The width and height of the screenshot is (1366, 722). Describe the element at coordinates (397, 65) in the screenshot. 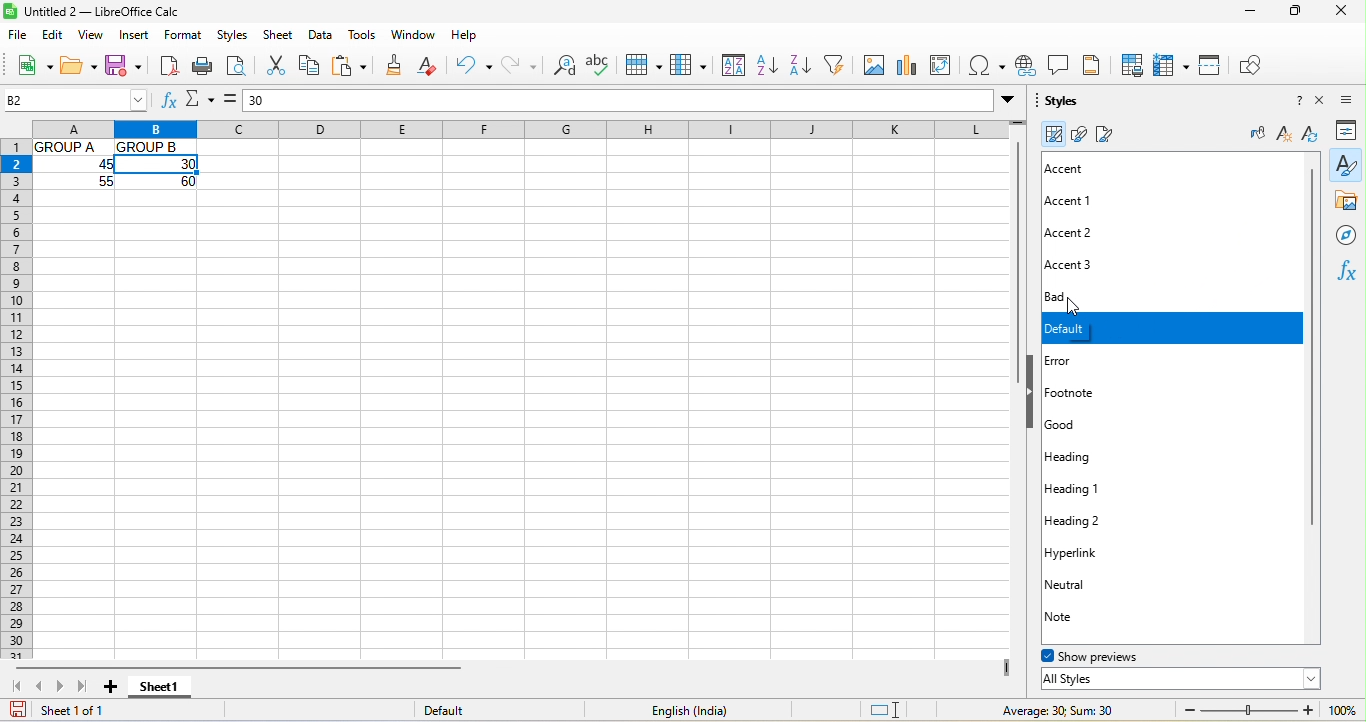

I see `clone formatting` at that location.